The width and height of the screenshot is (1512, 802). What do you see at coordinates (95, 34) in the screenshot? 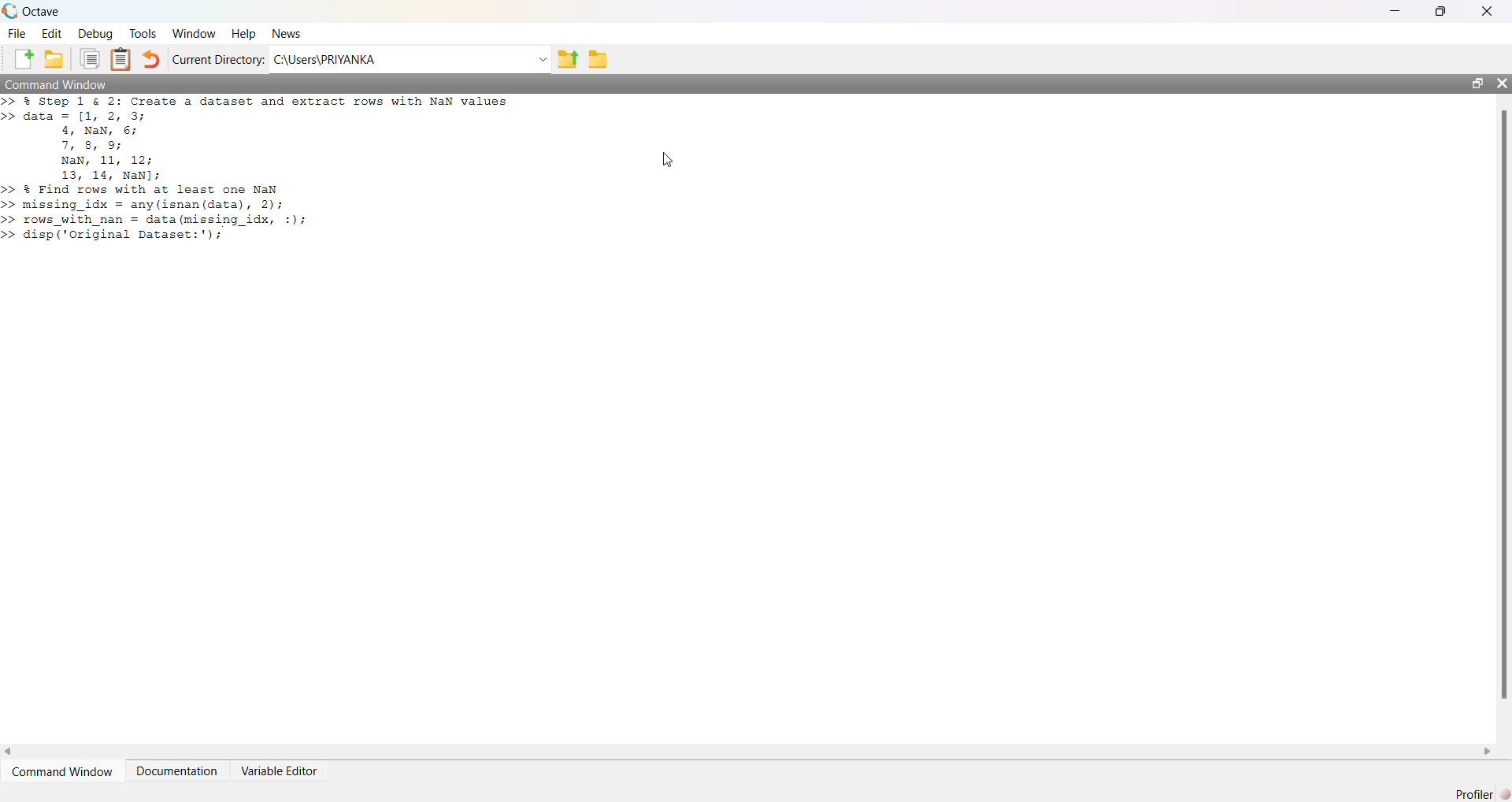
I see `Debug` at bounding box center [95, 34].